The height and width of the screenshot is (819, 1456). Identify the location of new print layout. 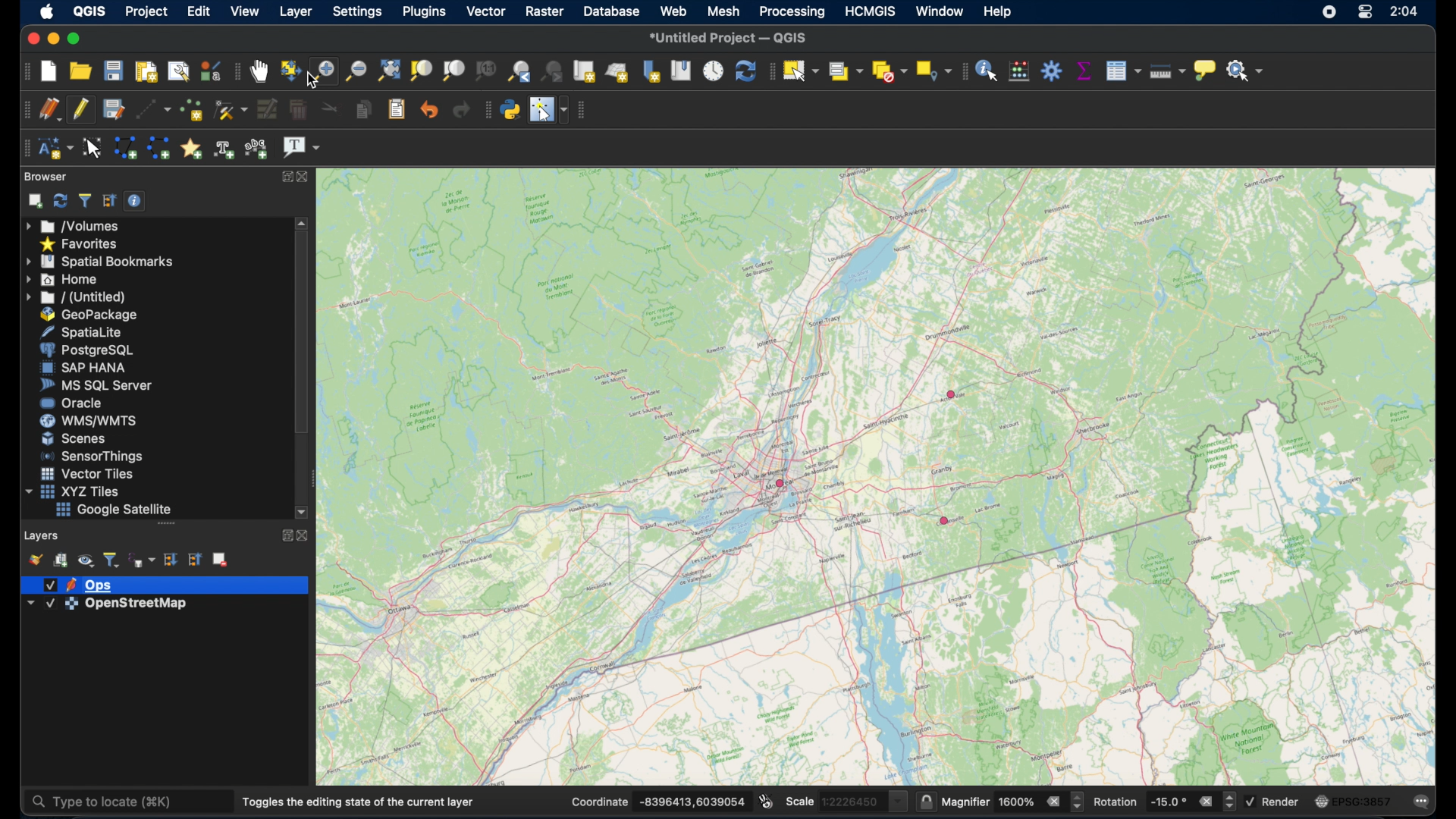
(146, 70).